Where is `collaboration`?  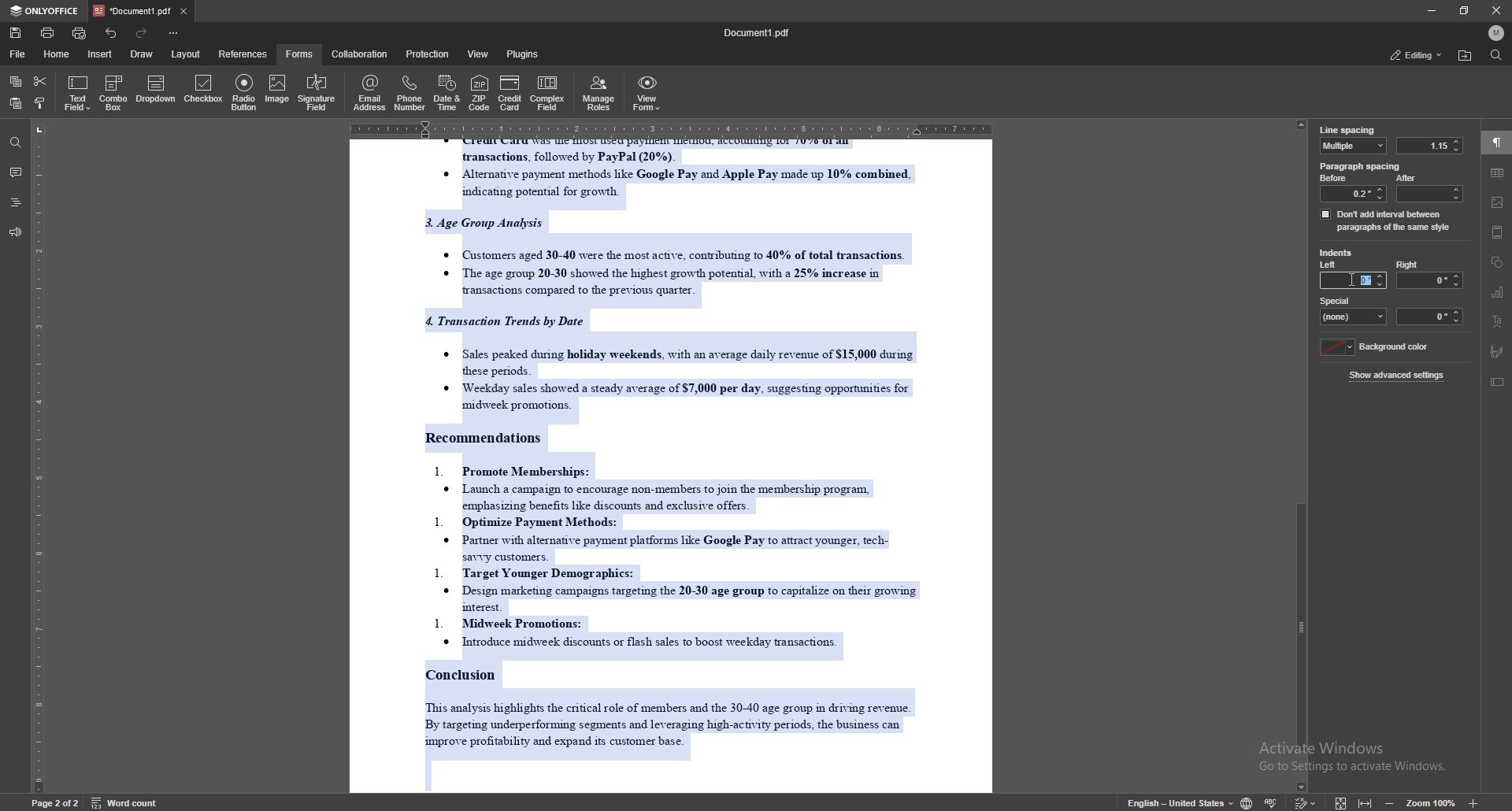 collaboration is located at coordinates (361, 54).